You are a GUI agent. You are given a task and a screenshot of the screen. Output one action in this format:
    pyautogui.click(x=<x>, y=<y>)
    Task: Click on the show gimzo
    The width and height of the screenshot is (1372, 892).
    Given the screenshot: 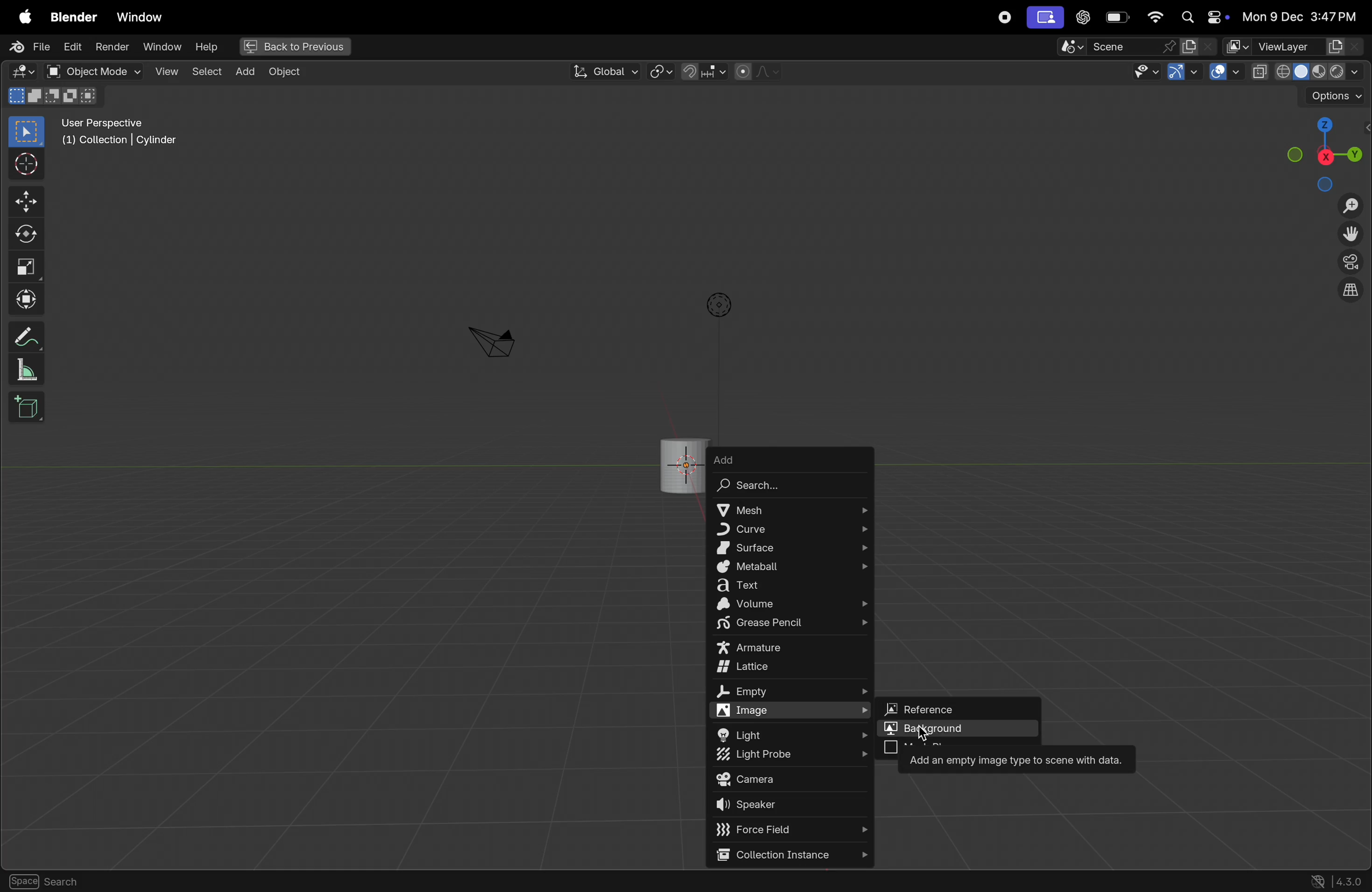 What is the action you would take?
    pyautogui.click(x=1185, y=74)
    